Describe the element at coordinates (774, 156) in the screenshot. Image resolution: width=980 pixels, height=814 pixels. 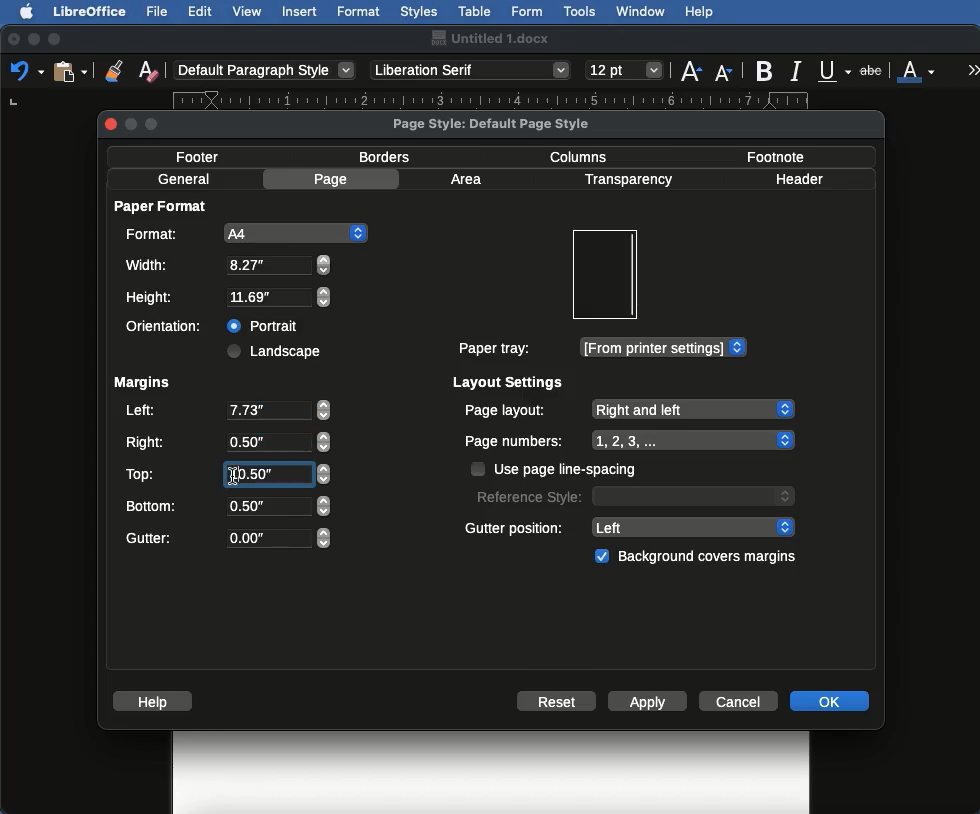
I see `Footnote` at that location.